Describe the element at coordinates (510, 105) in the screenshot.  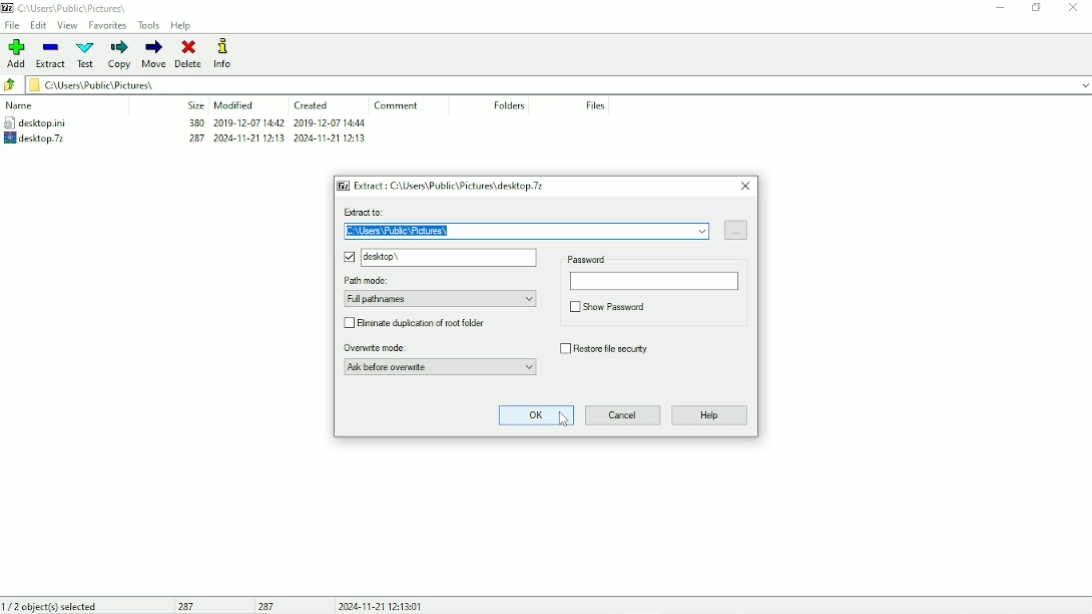
I see `Folders` at that location.